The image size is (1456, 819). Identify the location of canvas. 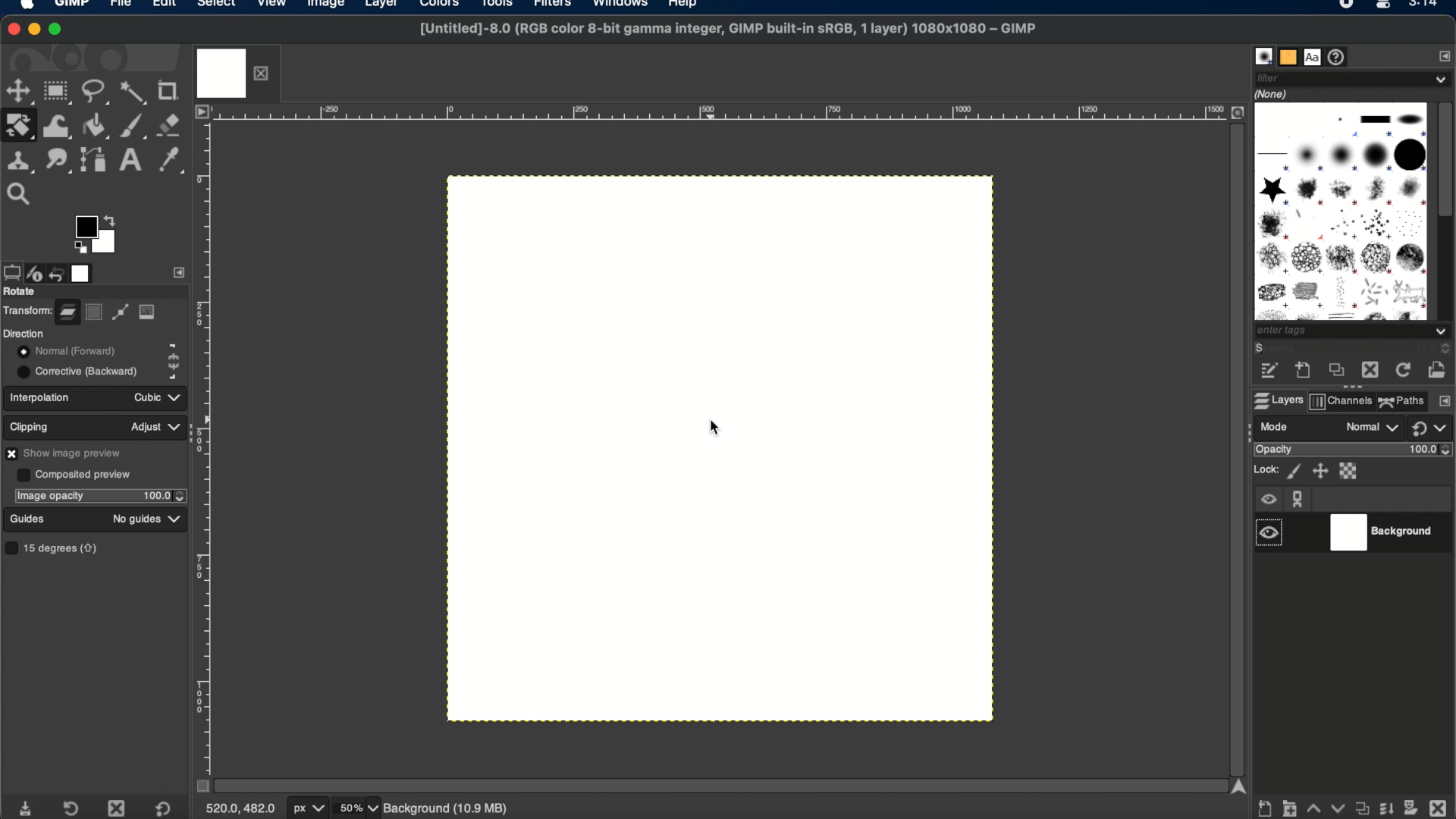
(717, 449).